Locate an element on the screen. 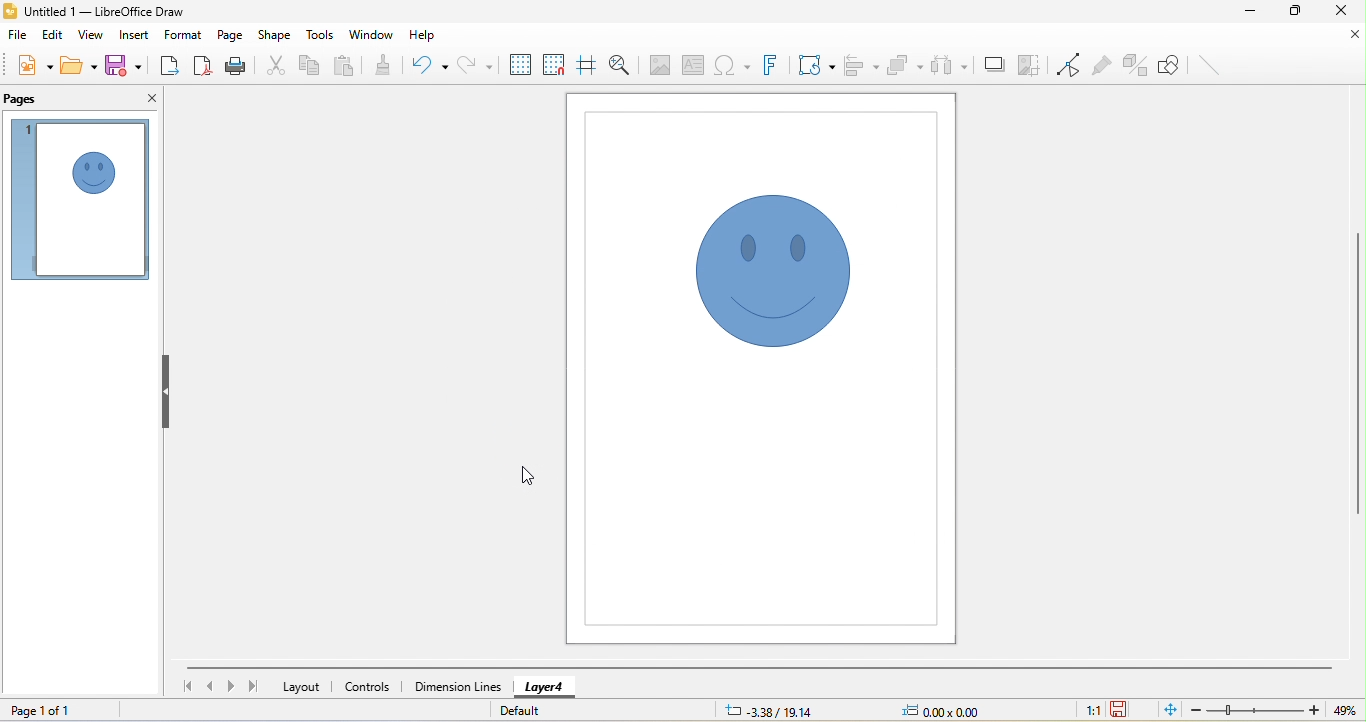 The image size is (1366, 722). paste is located at coordinates (346, 67).